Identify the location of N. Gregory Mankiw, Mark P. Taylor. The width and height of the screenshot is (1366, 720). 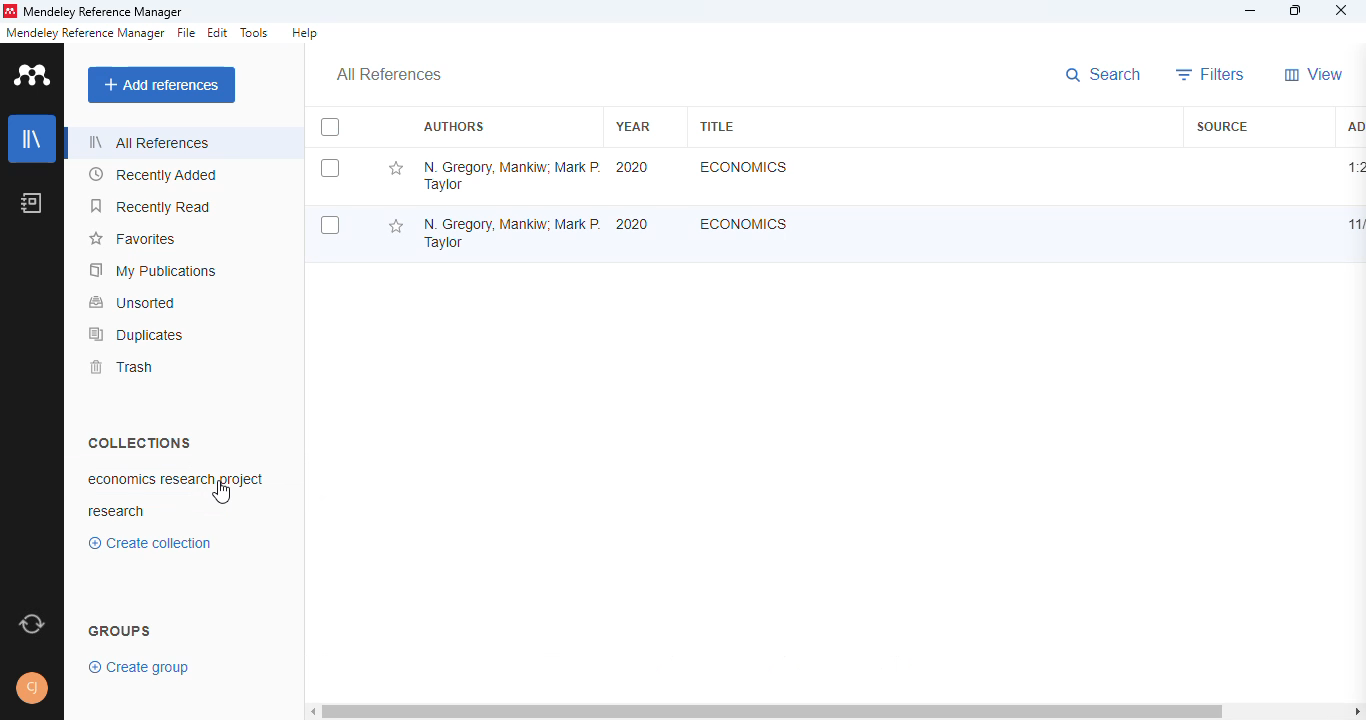
(508, 228).